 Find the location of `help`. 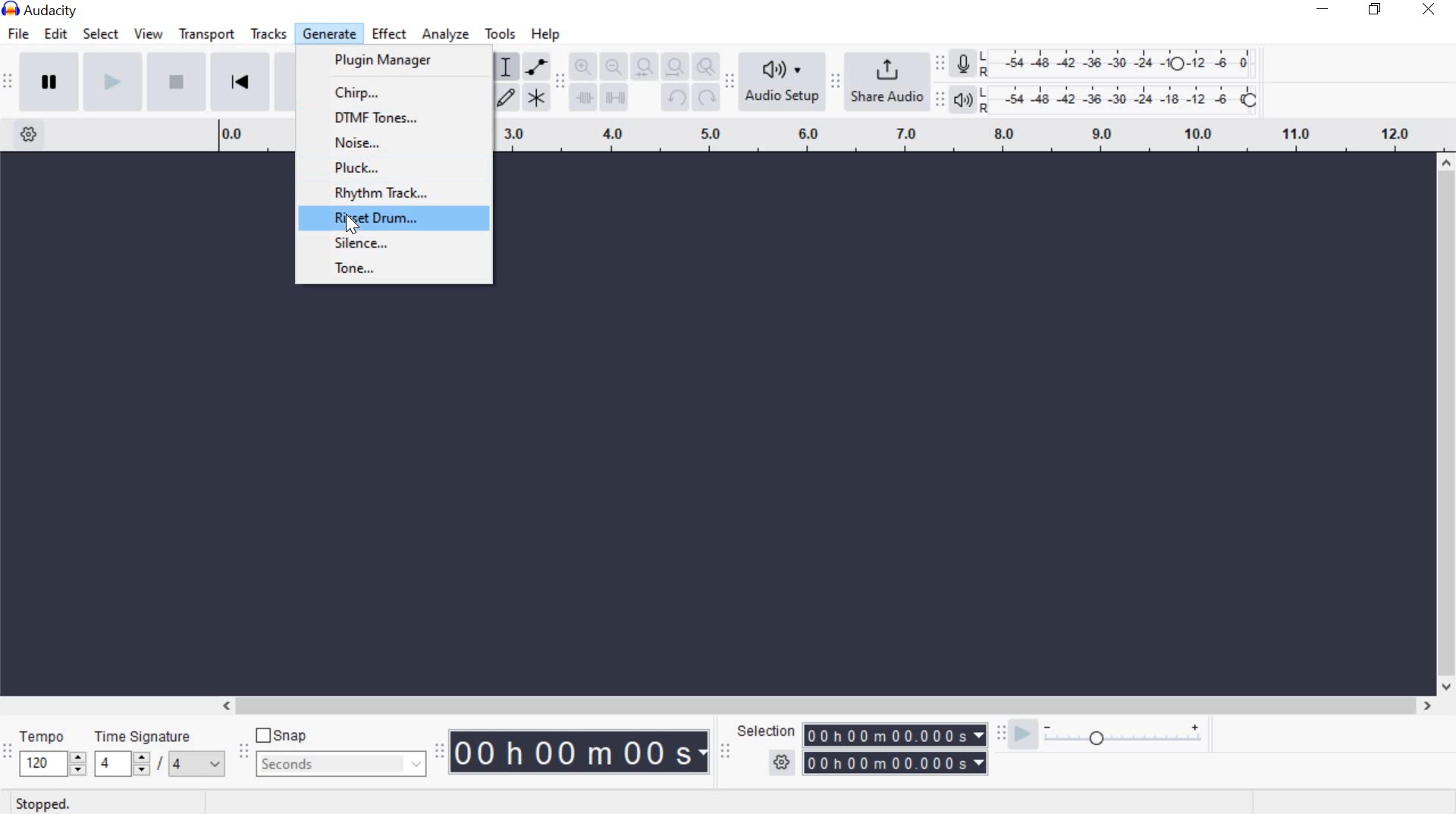

help is located at coordinates (544, 36).